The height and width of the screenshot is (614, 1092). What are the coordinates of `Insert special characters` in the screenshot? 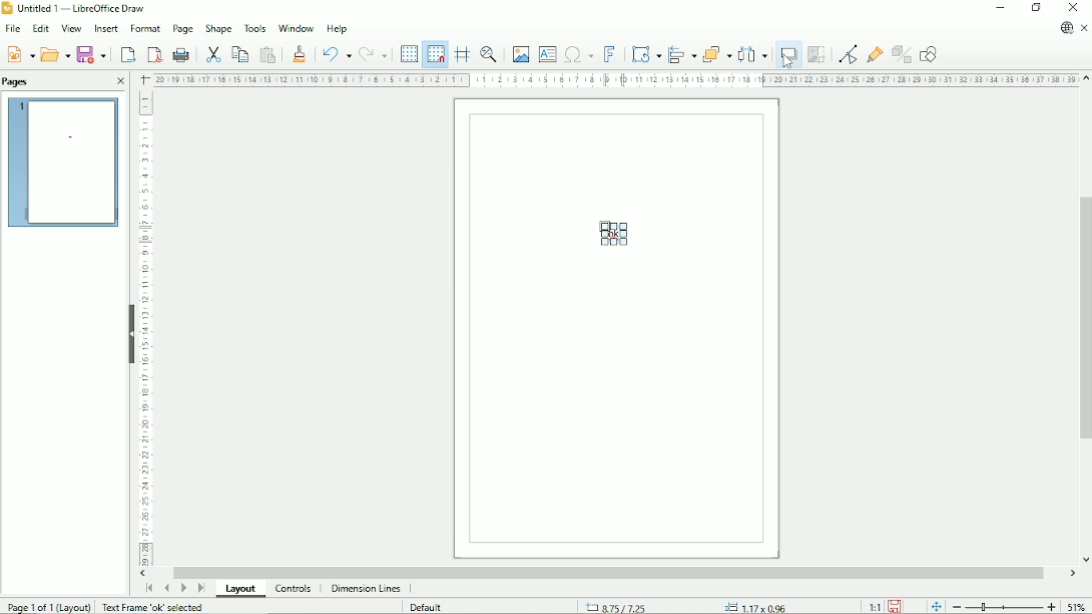 It's located at (578, 53).